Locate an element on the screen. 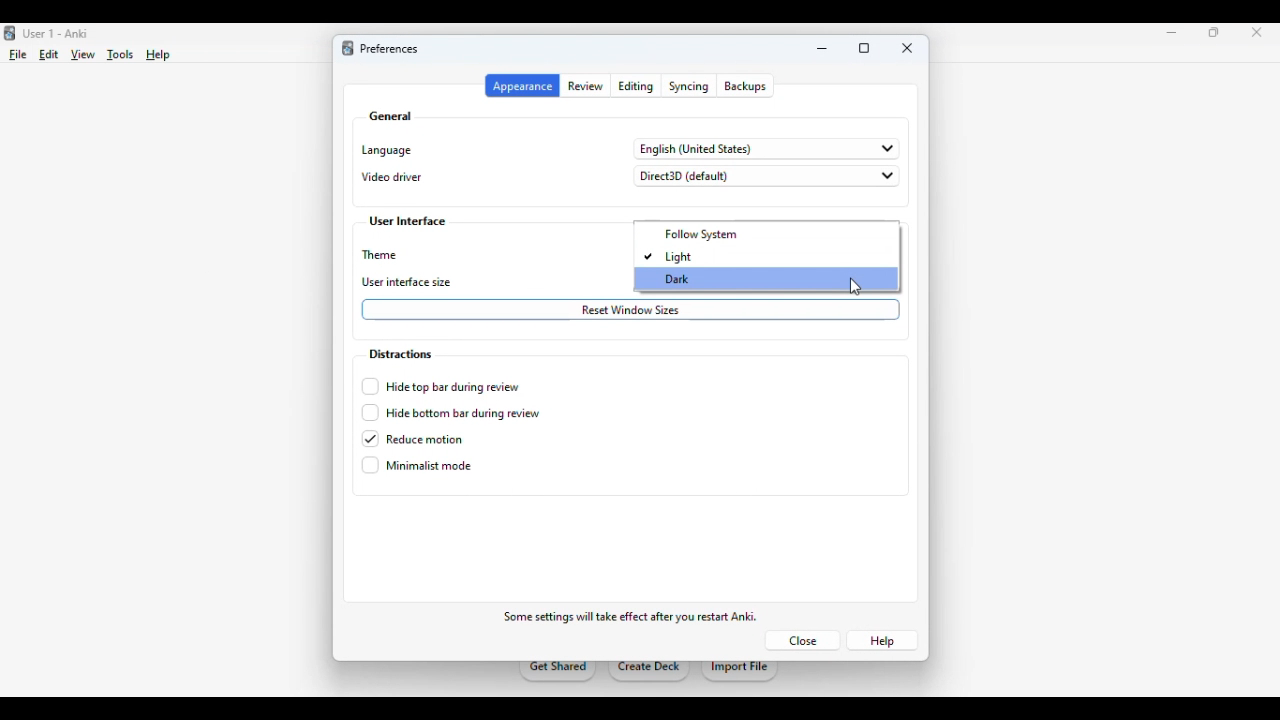 This screenshot has width=1280, height=720. follow system is located at coordinates (698, 235).